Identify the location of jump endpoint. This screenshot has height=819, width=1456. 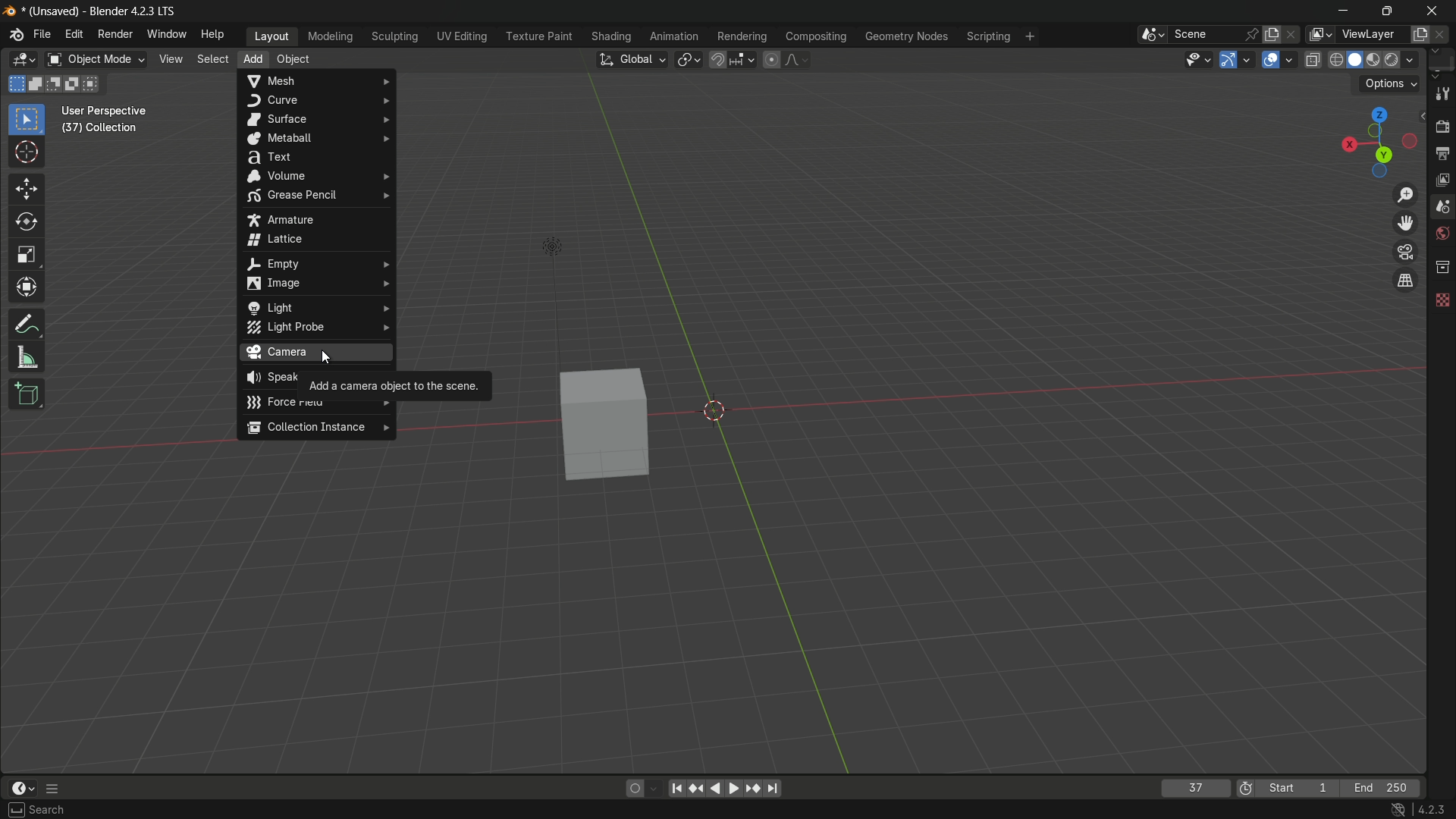
(774, 789).